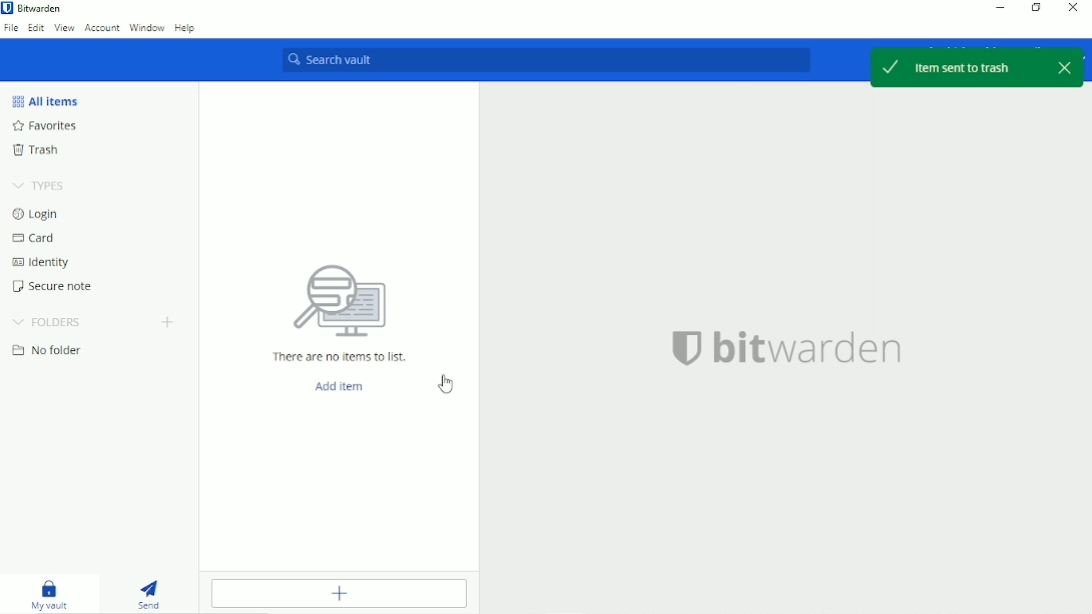  Describe the element at coordinates (152, 595) in the screenshot. I see `Send` at that location.